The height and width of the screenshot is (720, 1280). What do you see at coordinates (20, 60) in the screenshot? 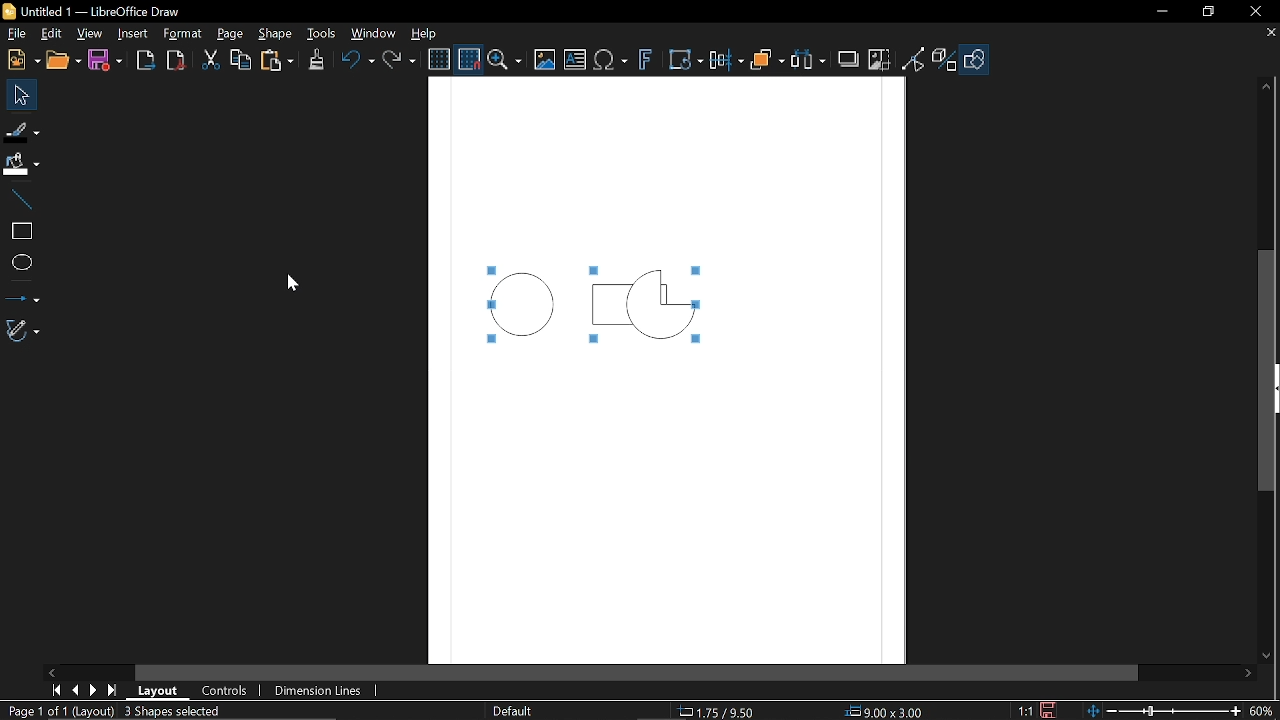
I see `New` at bounding box center [20, 60].